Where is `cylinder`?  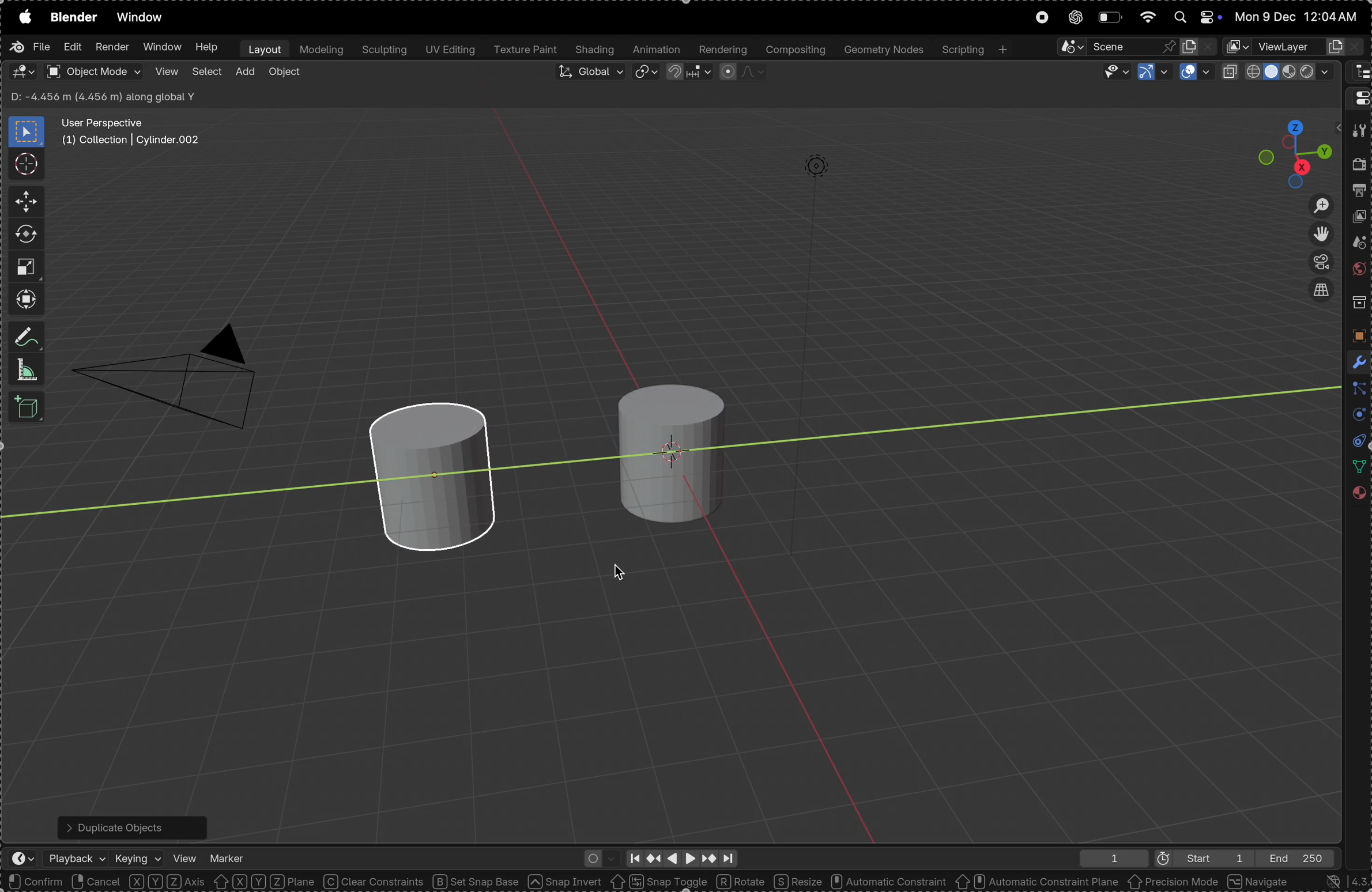
cylinder is located at coordinates (446, 477).